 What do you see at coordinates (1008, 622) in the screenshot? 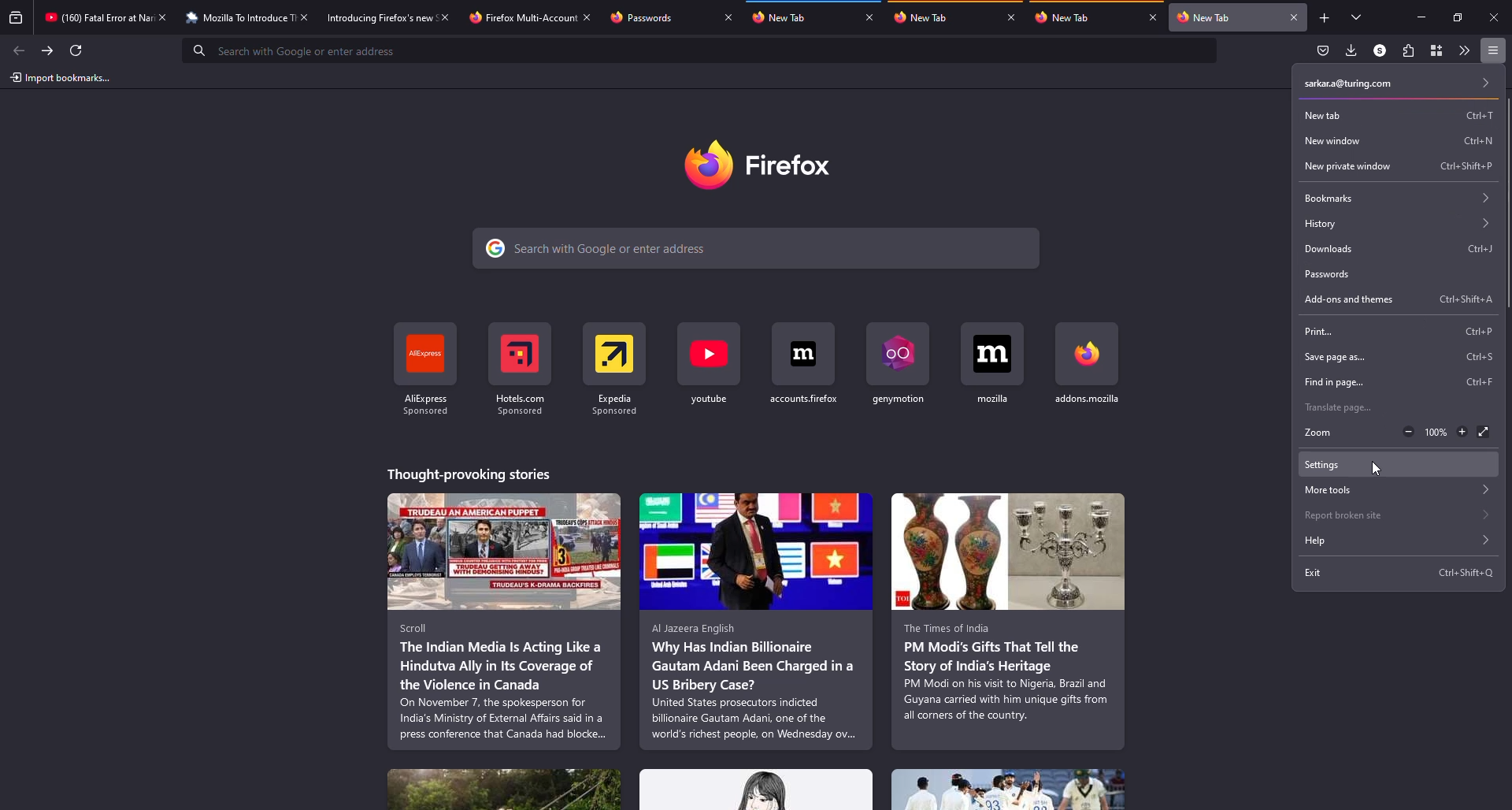
I see `stories` at bounding box center [1008, 622].